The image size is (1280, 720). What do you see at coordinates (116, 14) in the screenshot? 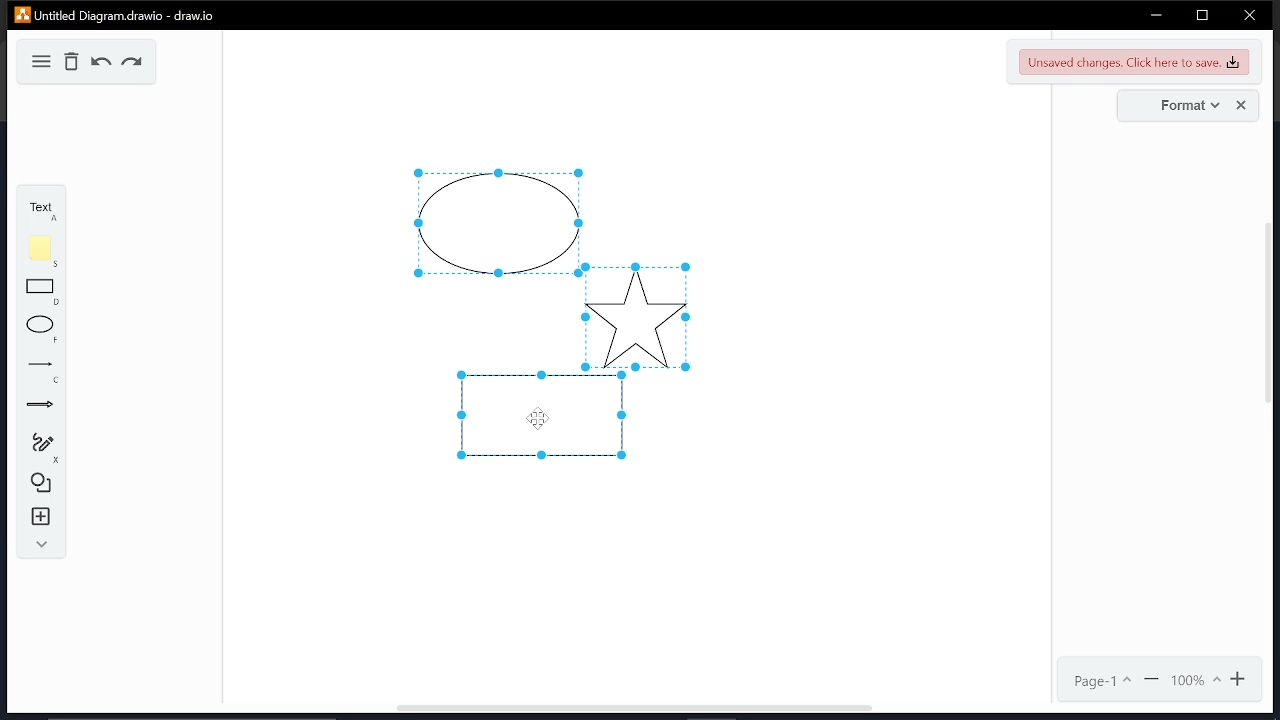
I see `Untitled Diagram.draw.io` at bounding box center [116, 14].